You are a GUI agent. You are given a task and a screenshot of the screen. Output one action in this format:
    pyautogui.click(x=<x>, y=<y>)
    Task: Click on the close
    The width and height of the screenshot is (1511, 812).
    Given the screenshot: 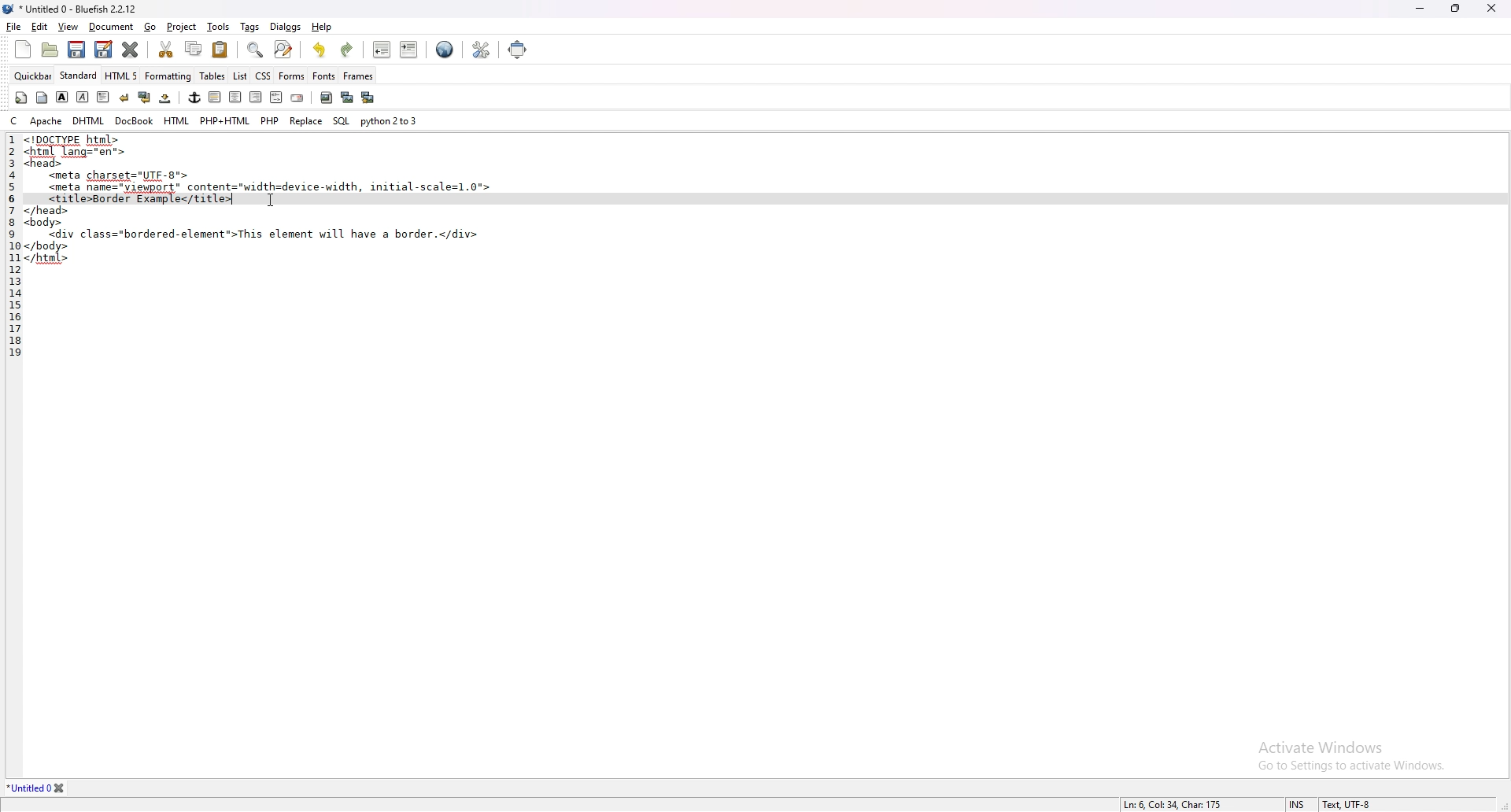 What is the action you would take?
    pyautogui.click(x=1491, y=7)
    